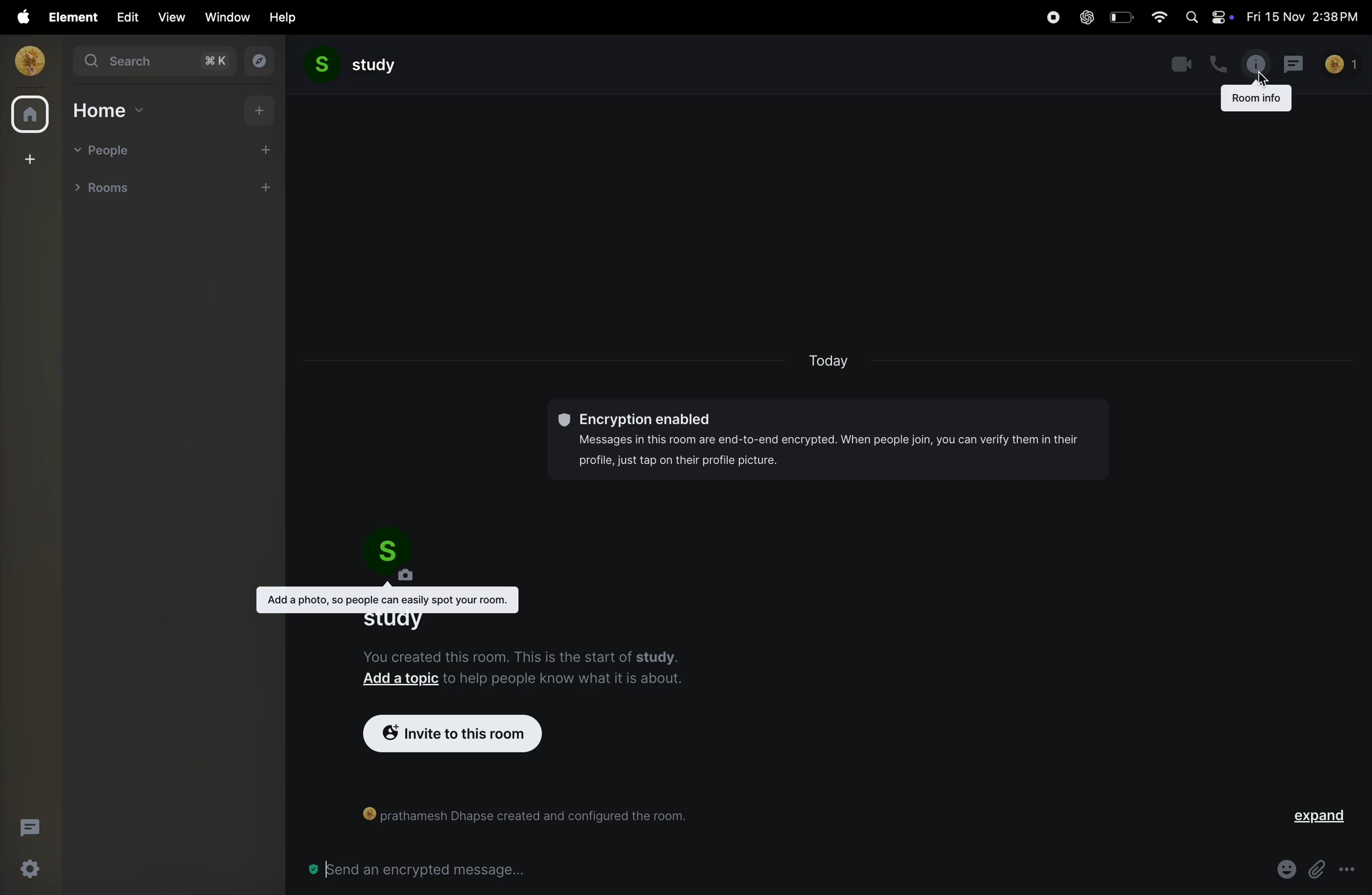  What do you see at coordinates (511, 652) in the screenshot?
I see `You created this room. This is the start of studv.` at bounding box center [511, 652].